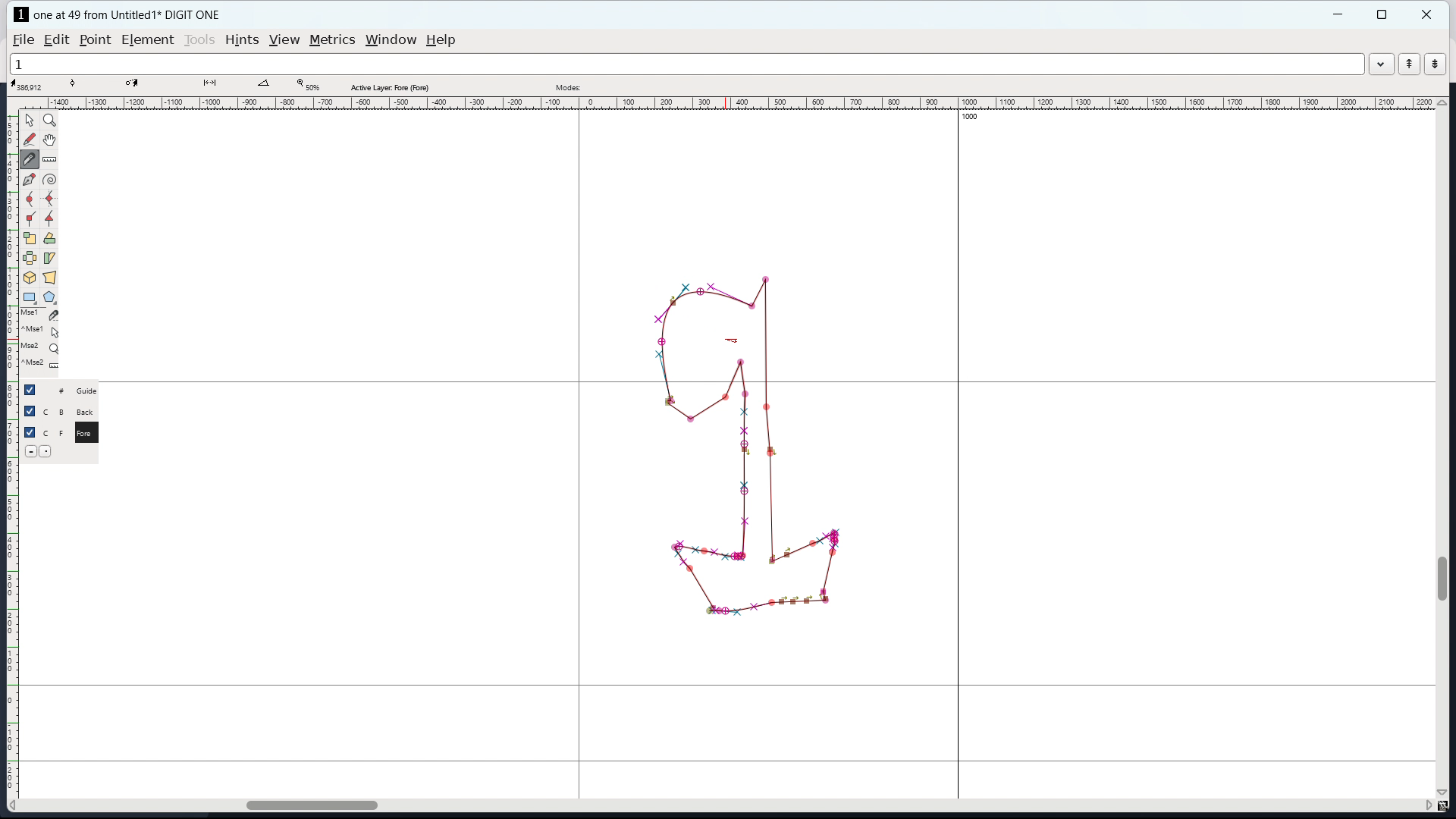  Describe the element at coordinates (736, 104) in the screenshot. I see `horizontal ruler` at that location.